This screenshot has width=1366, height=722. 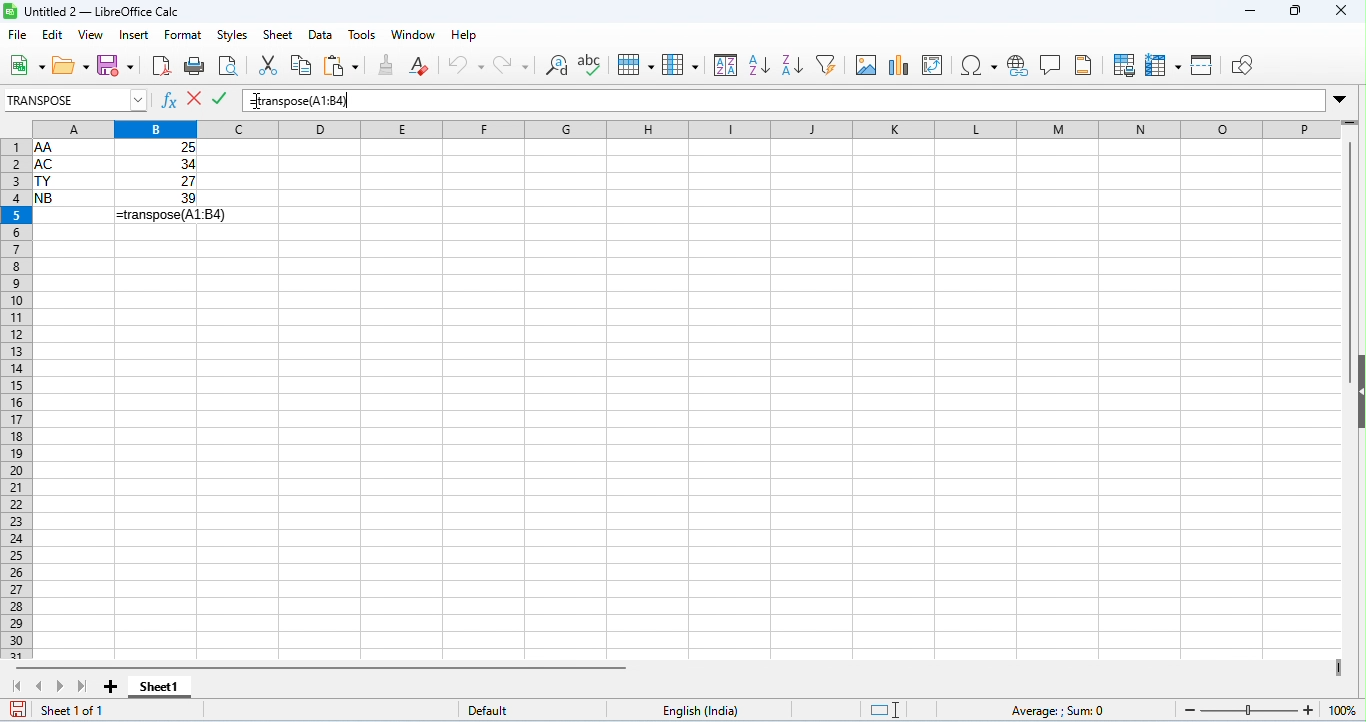 I want to click on save, so click(x=116, y=65).